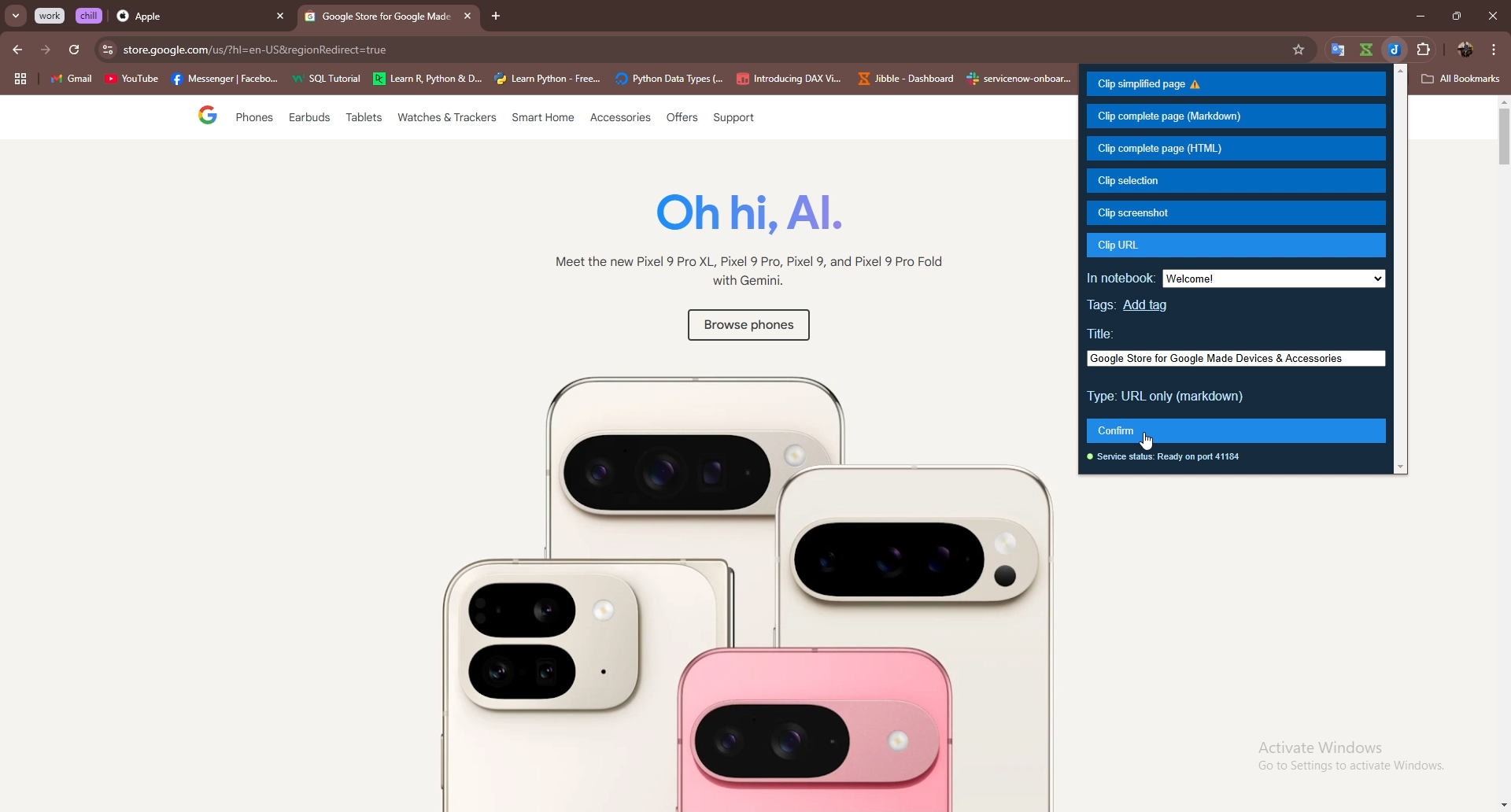 The width and height of the screenshot is (1511, 812). Describe the element at coordinates (106, 50) in the screenshot. I see `site settings` at that location.